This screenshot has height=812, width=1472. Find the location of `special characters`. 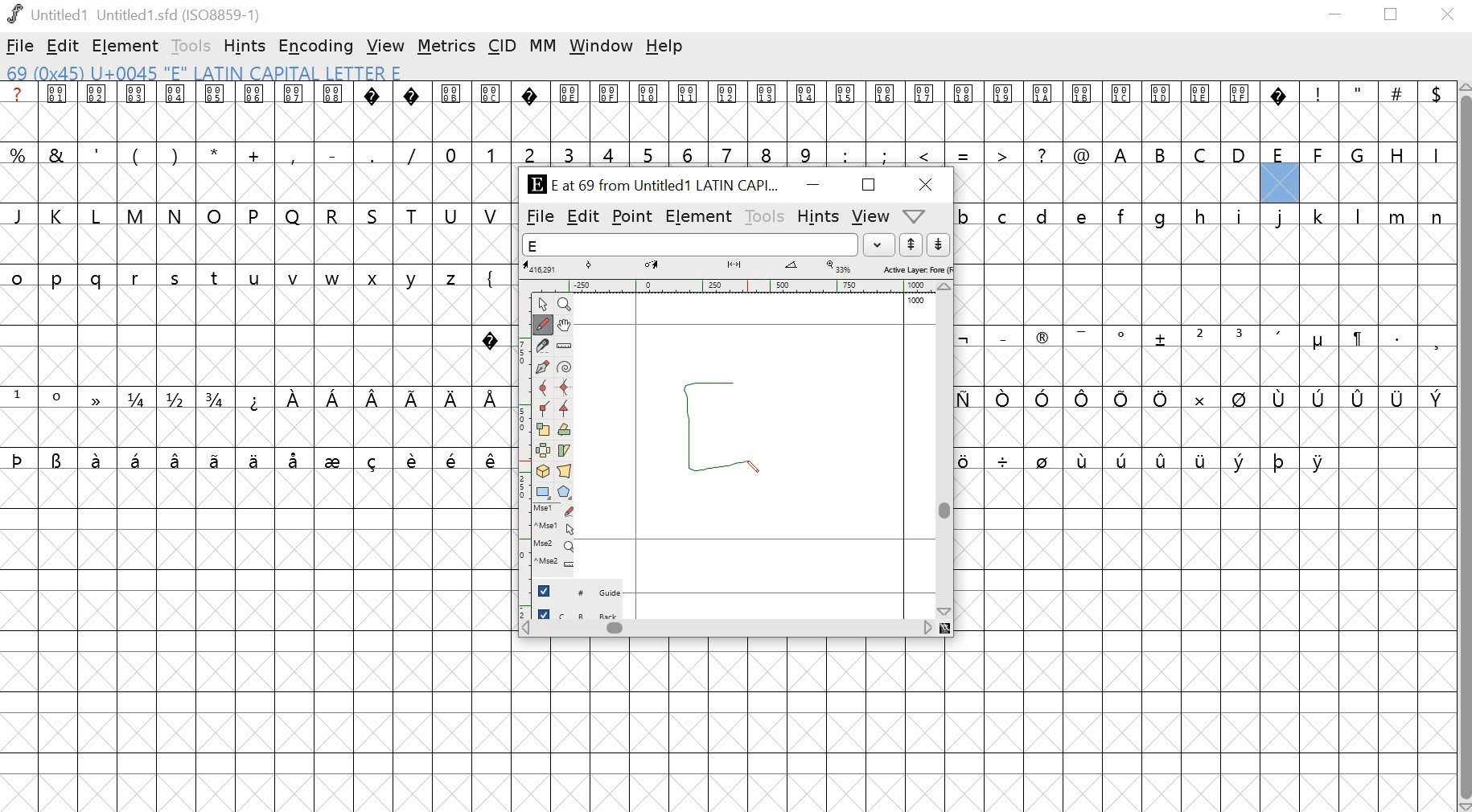

special characters is located at coordinates (255, 399).